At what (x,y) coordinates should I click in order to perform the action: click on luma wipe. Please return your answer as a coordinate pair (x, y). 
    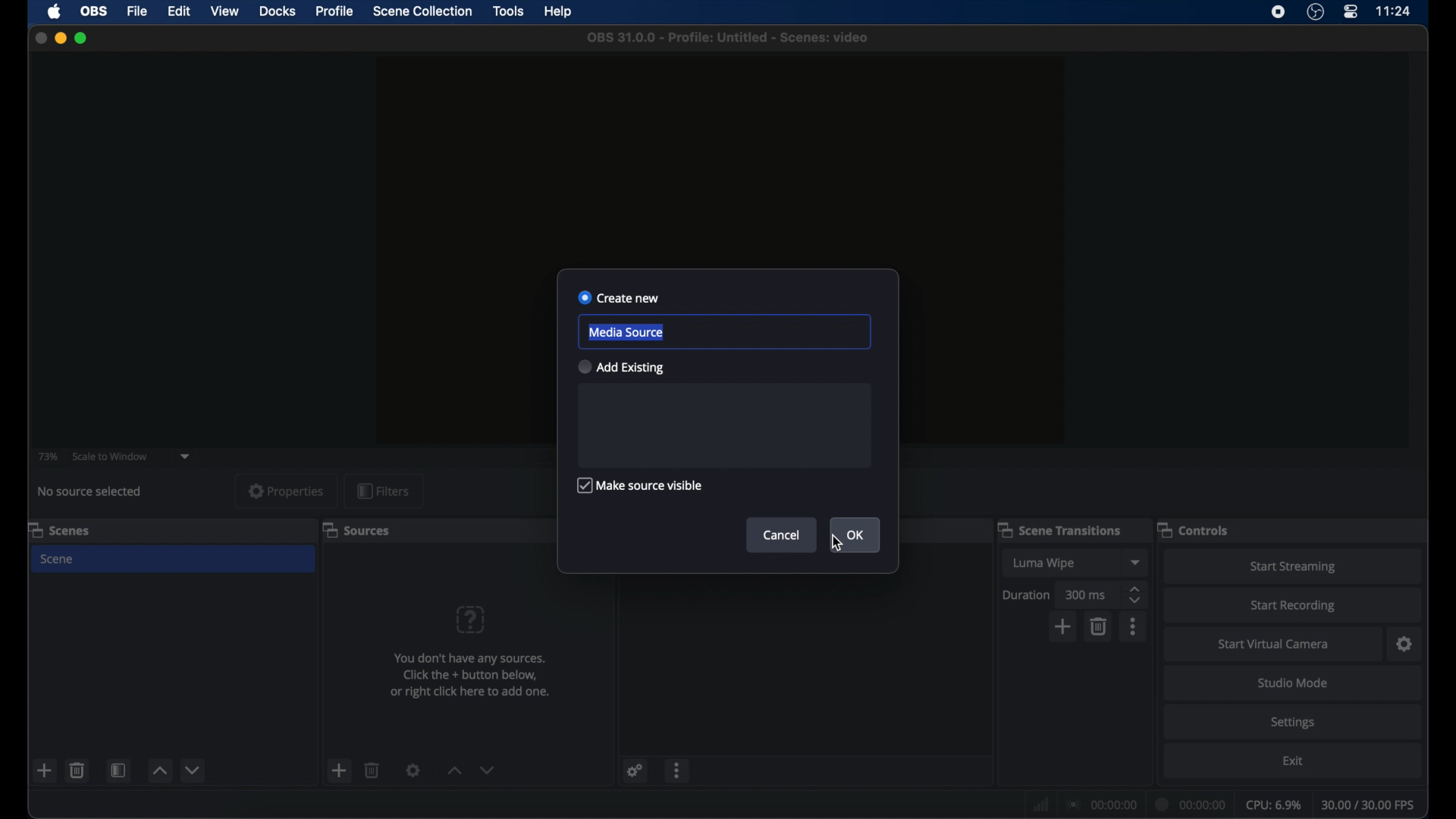
    Looking at the image, I should click on (1043, 564).